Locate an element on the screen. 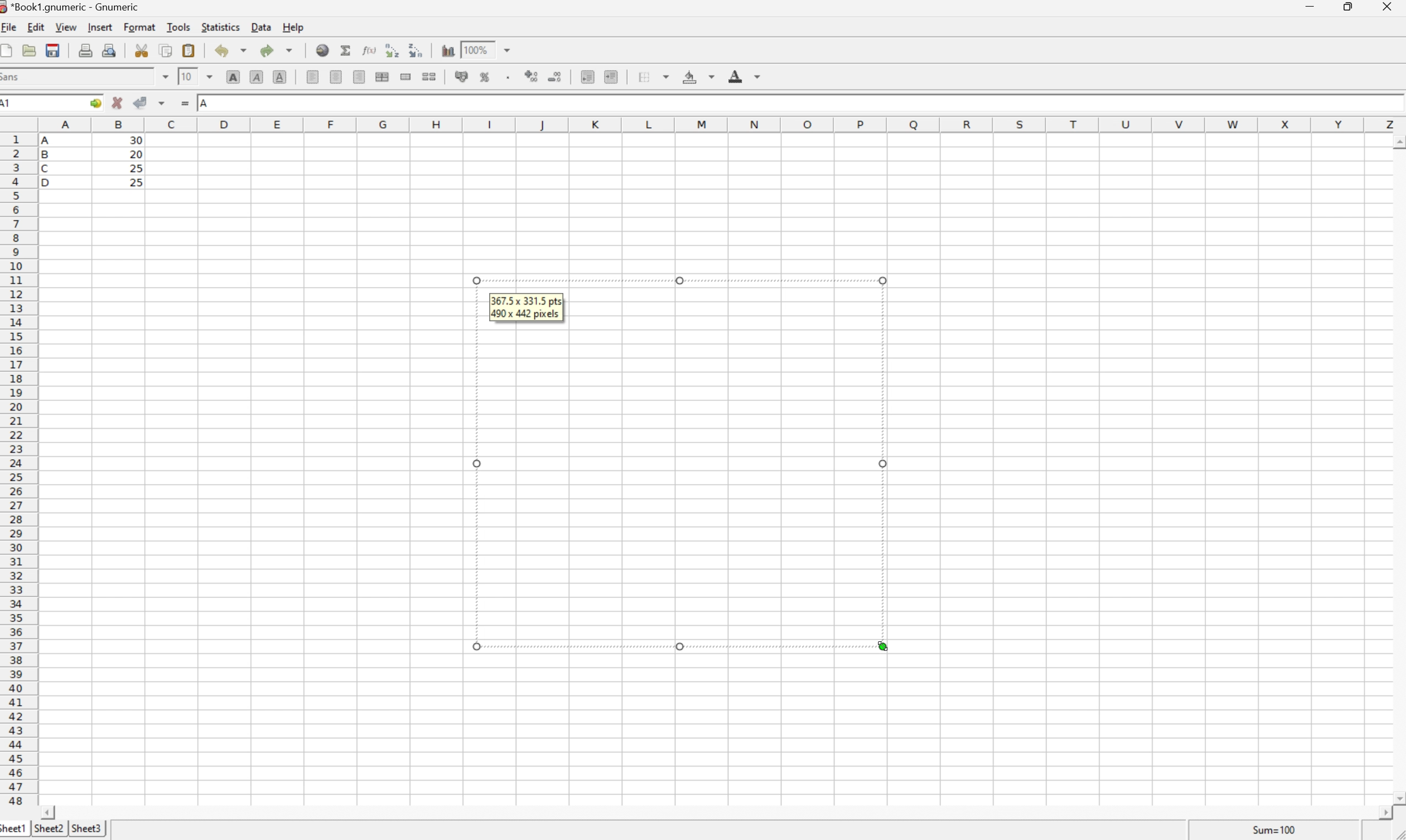 Image resolution: width=1406 pixels, height=840 pixels. Insert is located at coordinates (102, 28).